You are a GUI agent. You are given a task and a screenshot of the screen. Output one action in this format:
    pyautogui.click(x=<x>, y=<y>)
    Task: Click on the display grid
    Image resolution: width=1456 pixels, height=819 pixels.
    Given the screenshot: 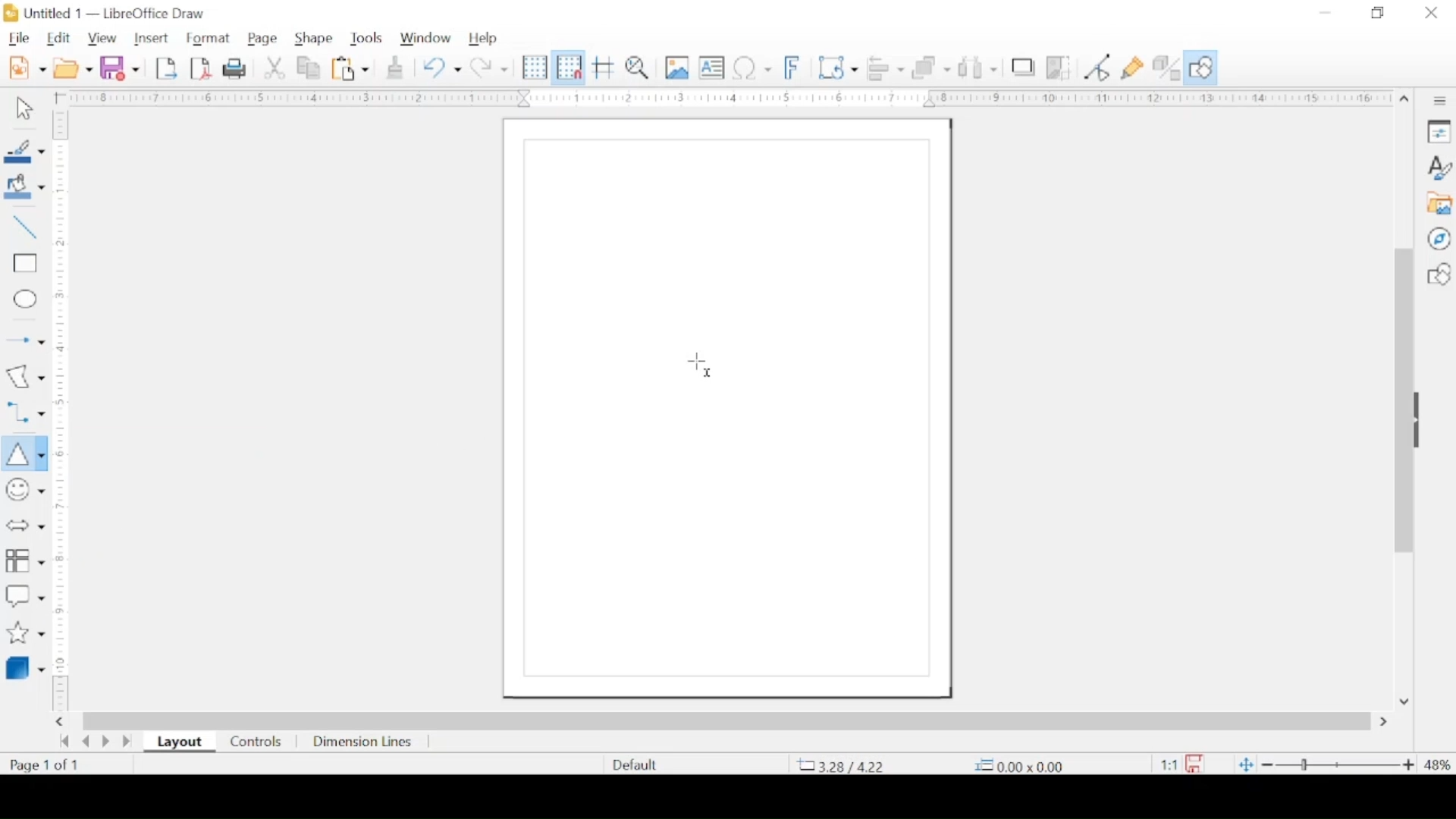 What is the action you would take?
    pyautogui.click(x=535, y=67)
    